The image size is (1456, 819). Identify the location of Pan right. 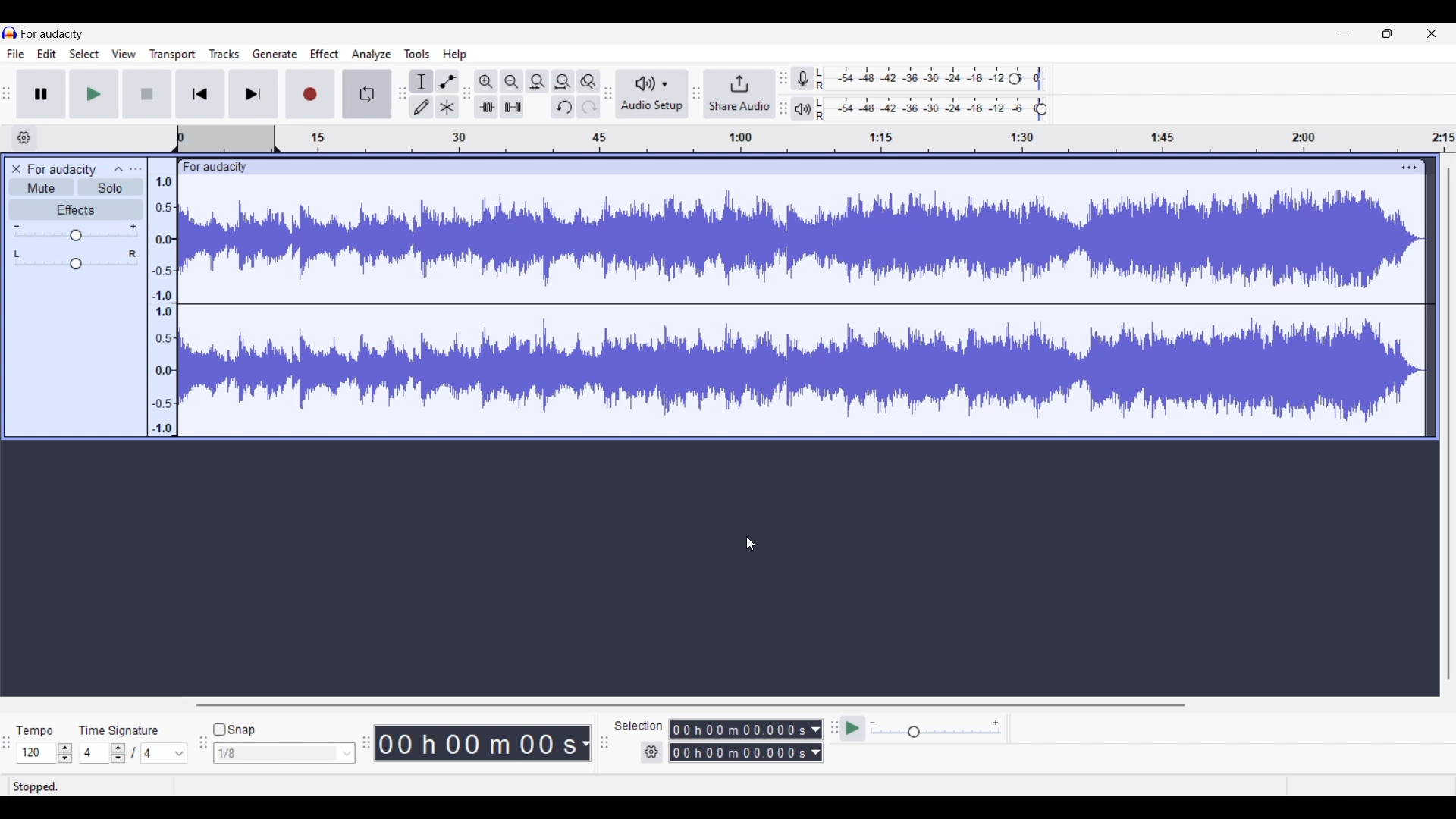
(132, 254).